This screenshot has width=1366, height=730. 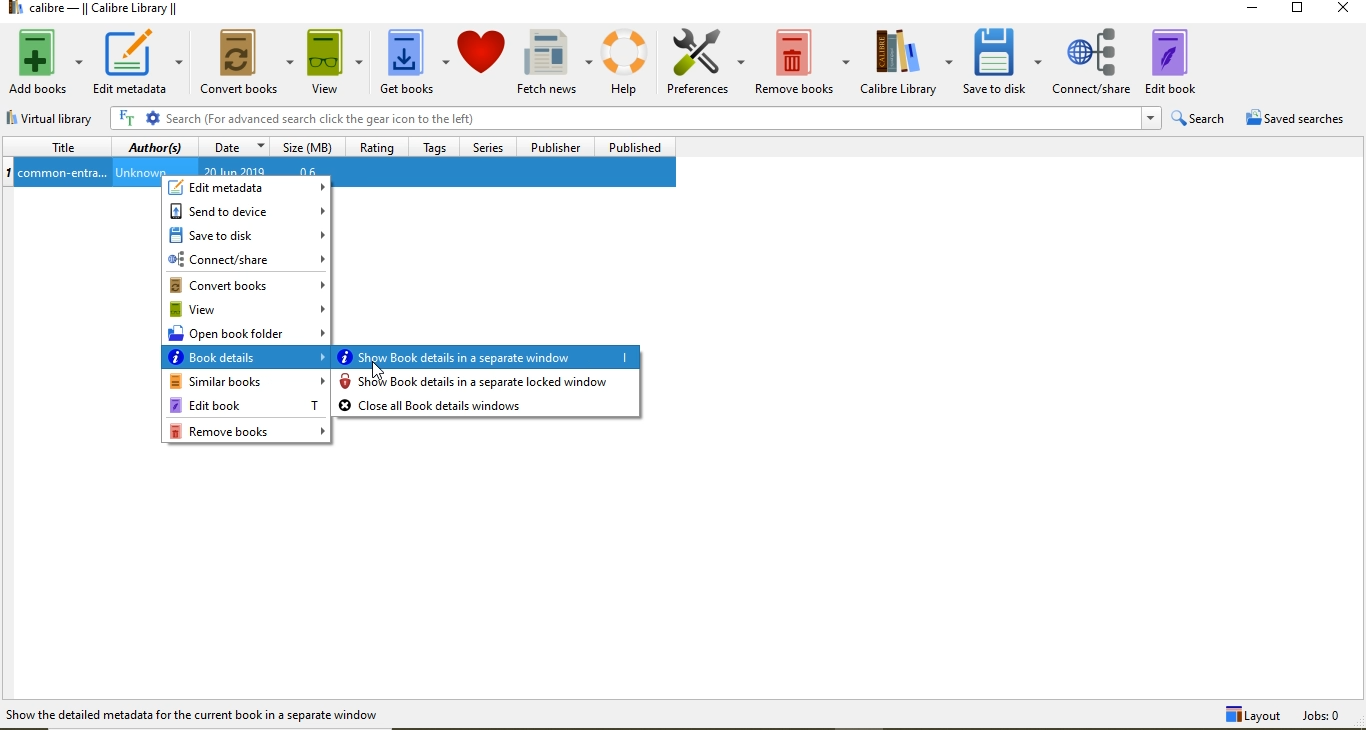 What do you see at coordinates (249, 432) in the screenshot?
I see `remove books` at bounding box center [249, 432].